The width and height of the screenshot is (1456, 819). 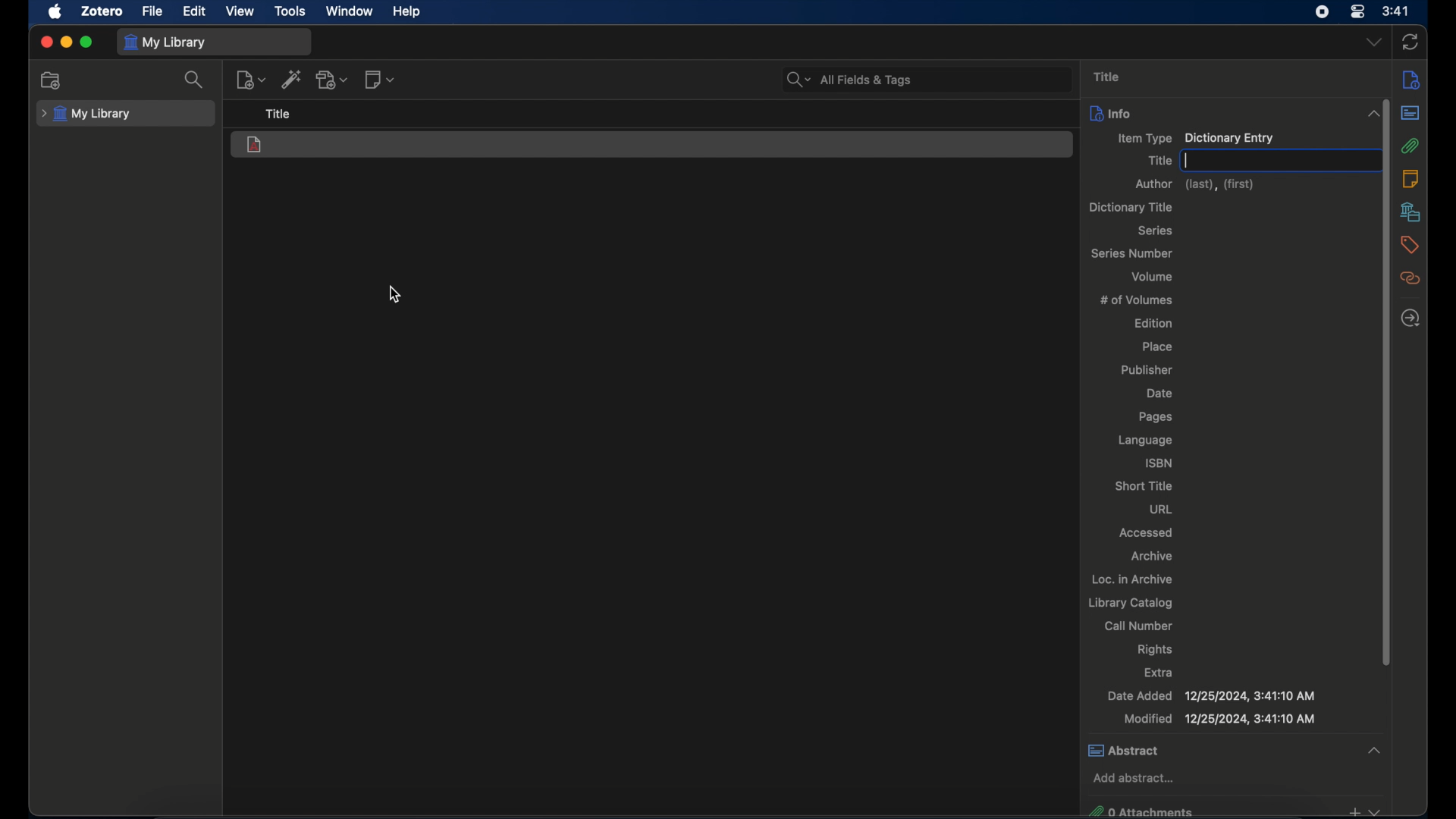 I want to click on window, so click(x=351, y=12).